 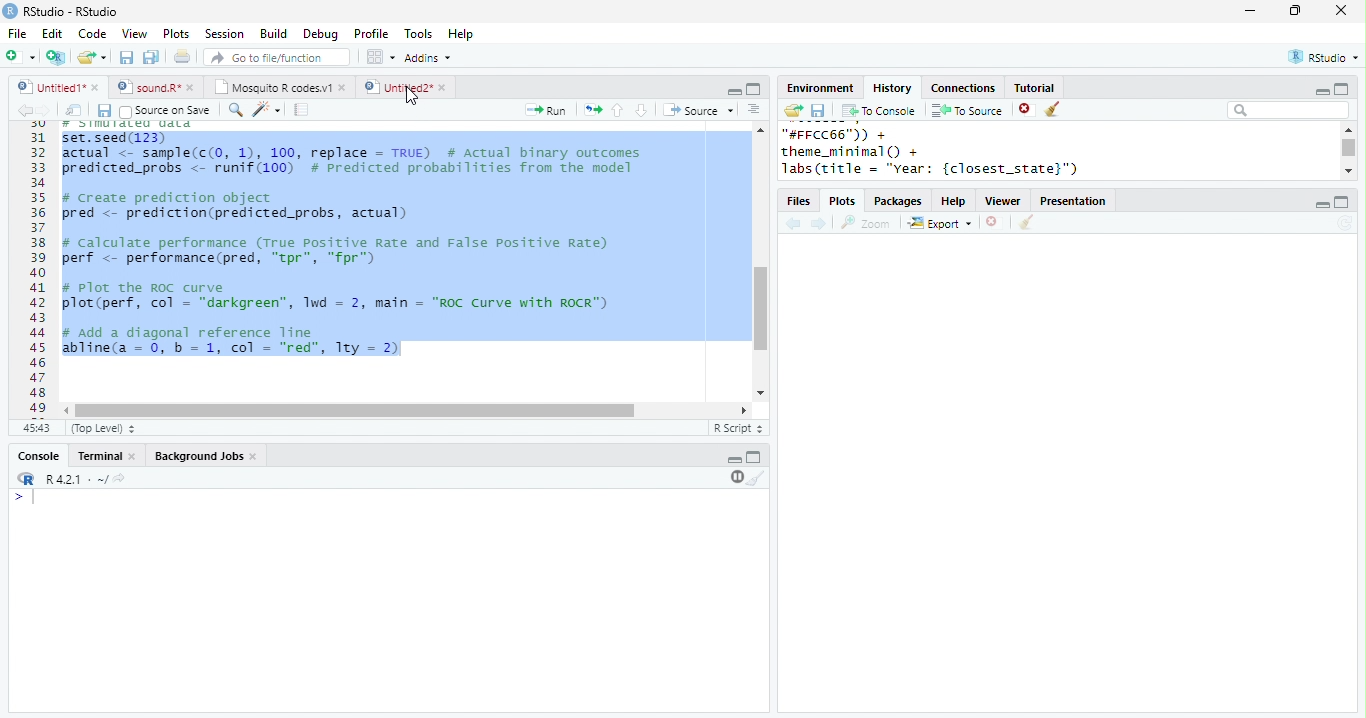 I want to click on save, so click(x=104, y=111).